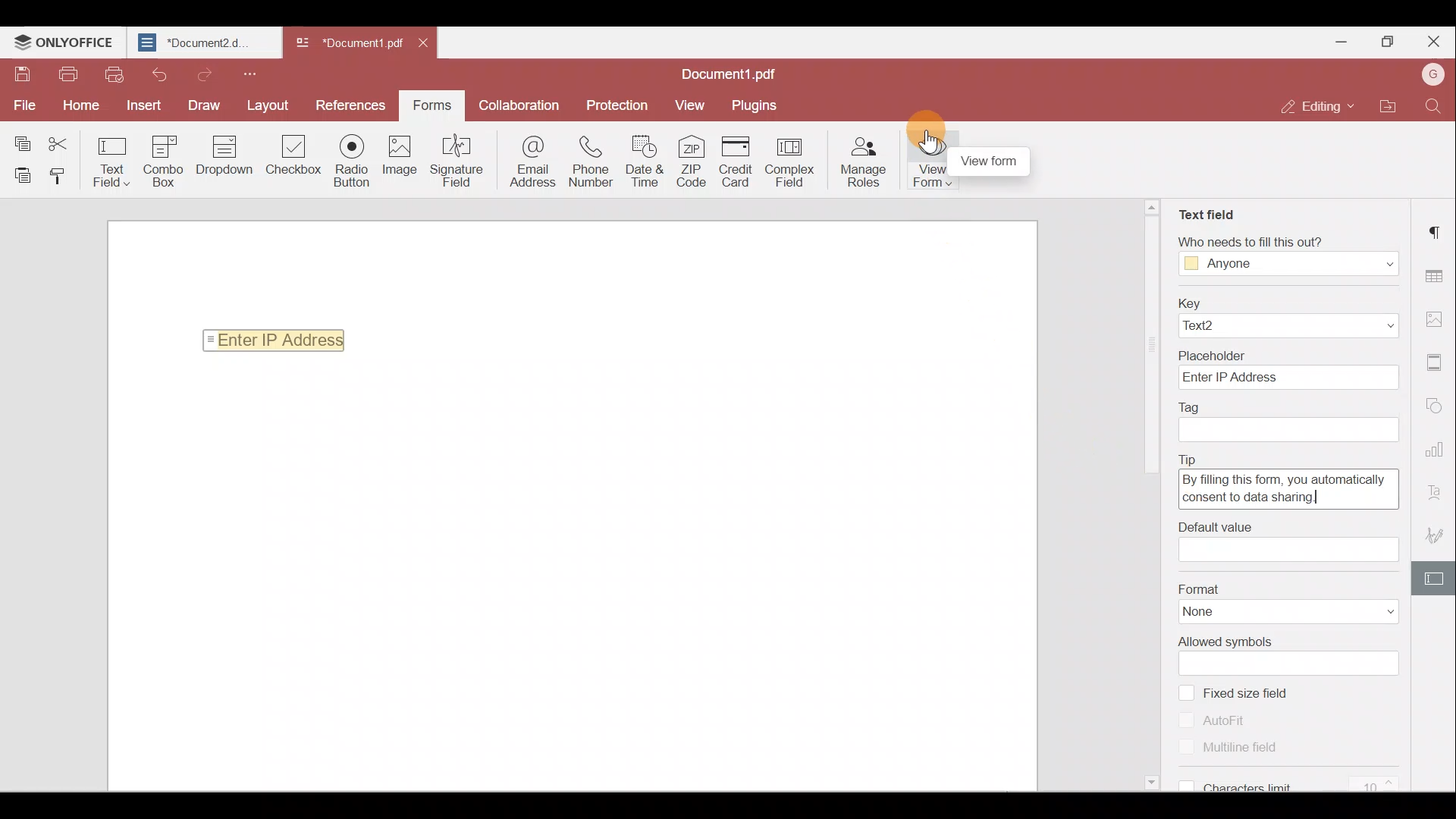  Describe the element at coordinates (524, 104) in the screenshot. I see `Collaboration` at that location.